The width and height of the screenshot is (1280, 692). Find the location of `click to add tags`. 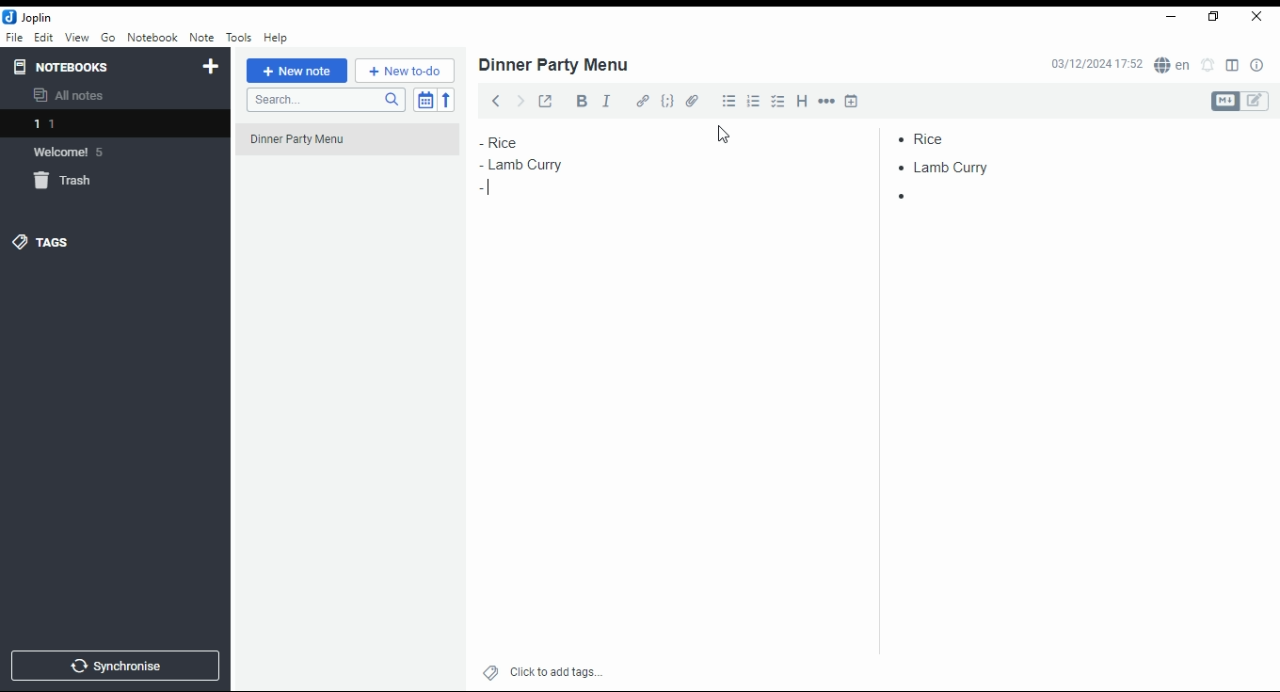

click to add tags is located at coordinates (554, 671).